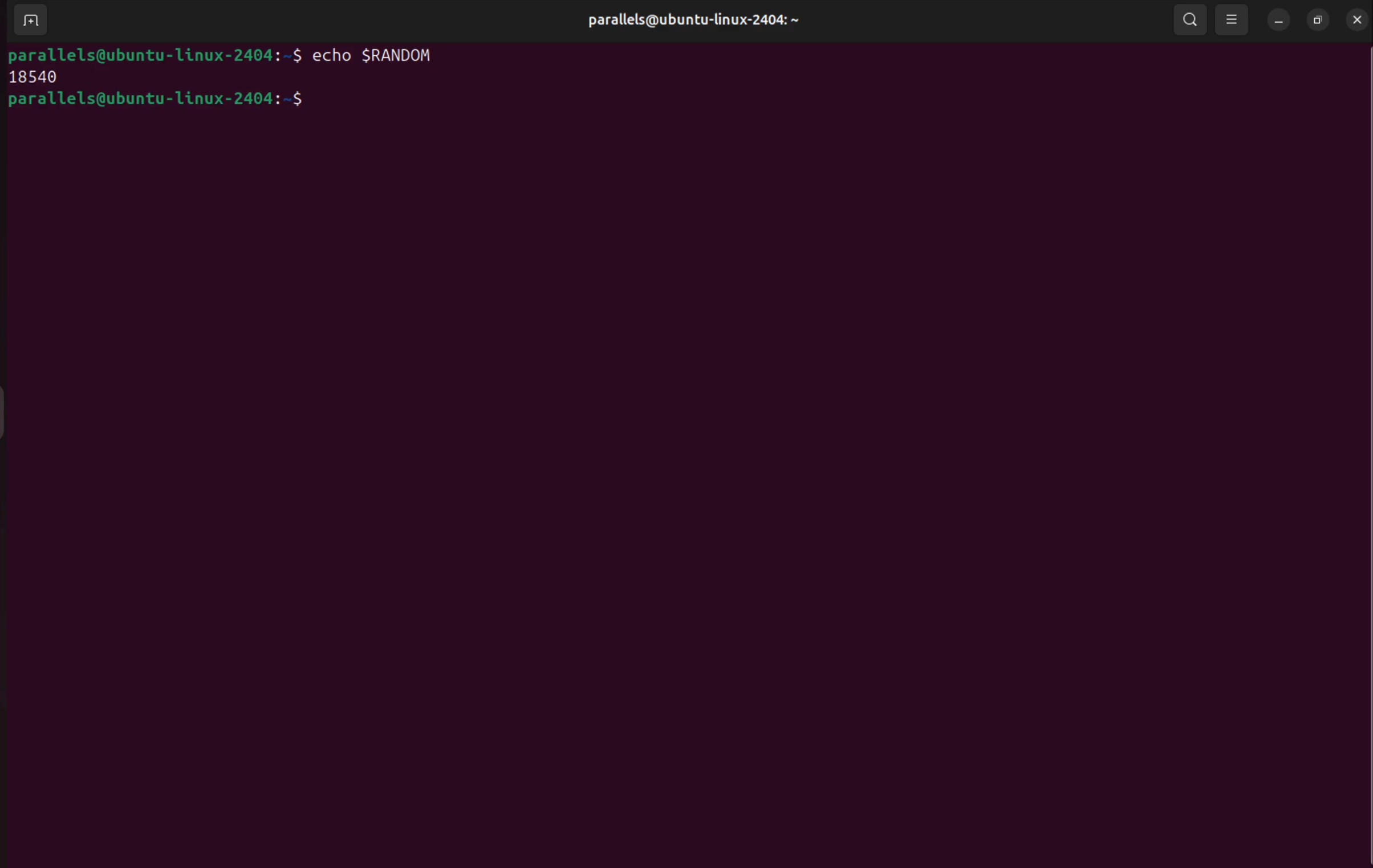 Image resolution: width=1373 pixels, height=868 pixels. What do you see at coordinates (1356, 17) in the screenshot?
I see `close` at bounding box center [1356, 17].